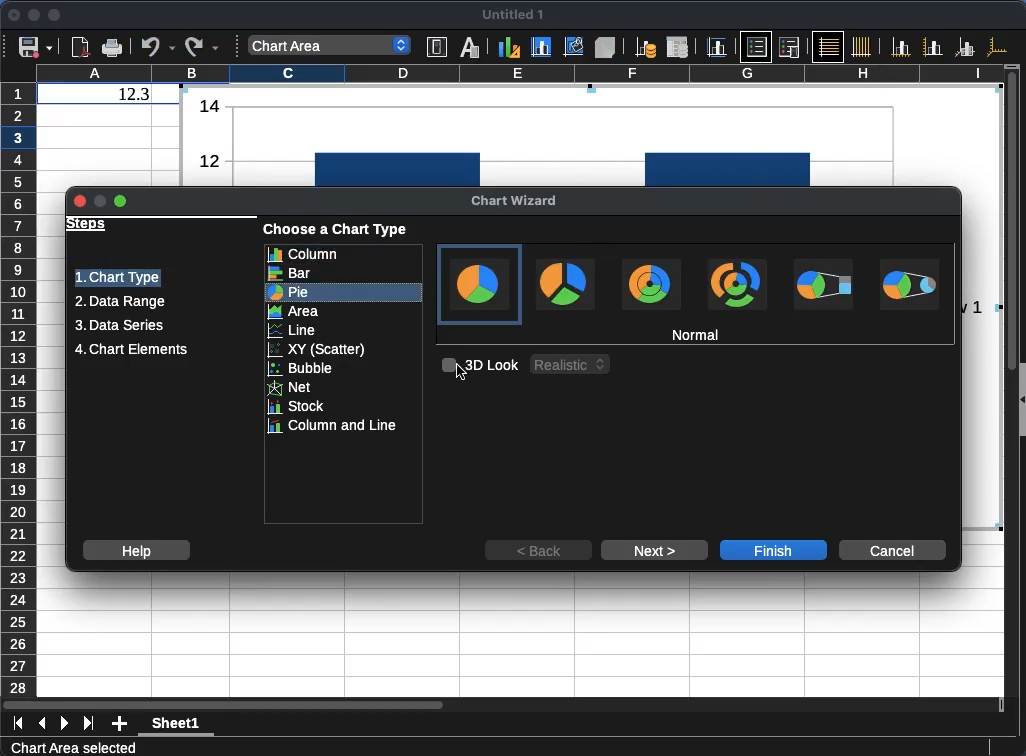 The image size is (1026, 756). What do you see at coordinates (202, 47) in the screenshot?
I see `Redo options` at bounding box center [202, 47].